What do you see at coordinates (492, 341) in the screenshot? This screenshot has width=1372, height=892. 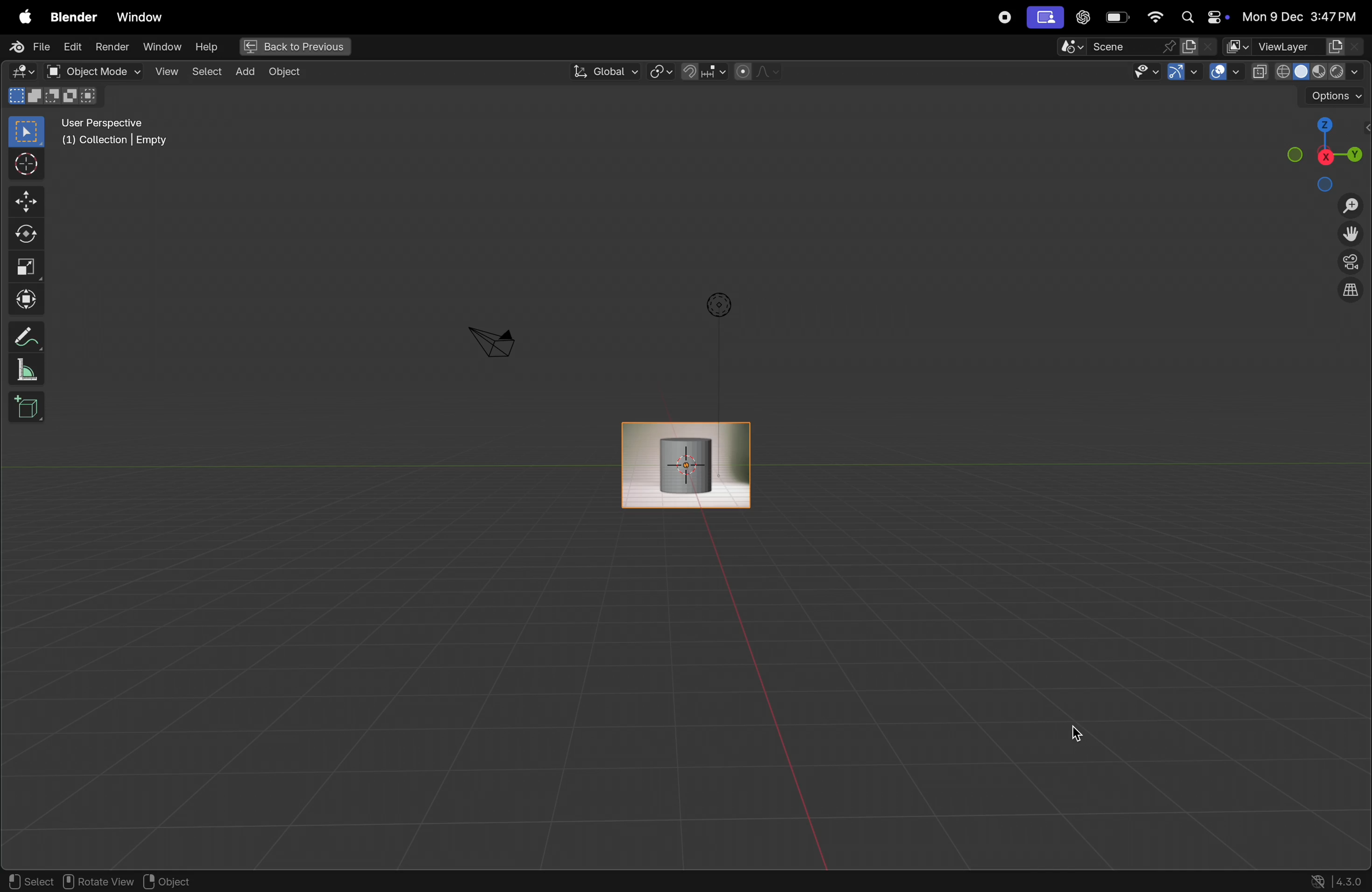 I see `camera` at bounding box center [492, 341].